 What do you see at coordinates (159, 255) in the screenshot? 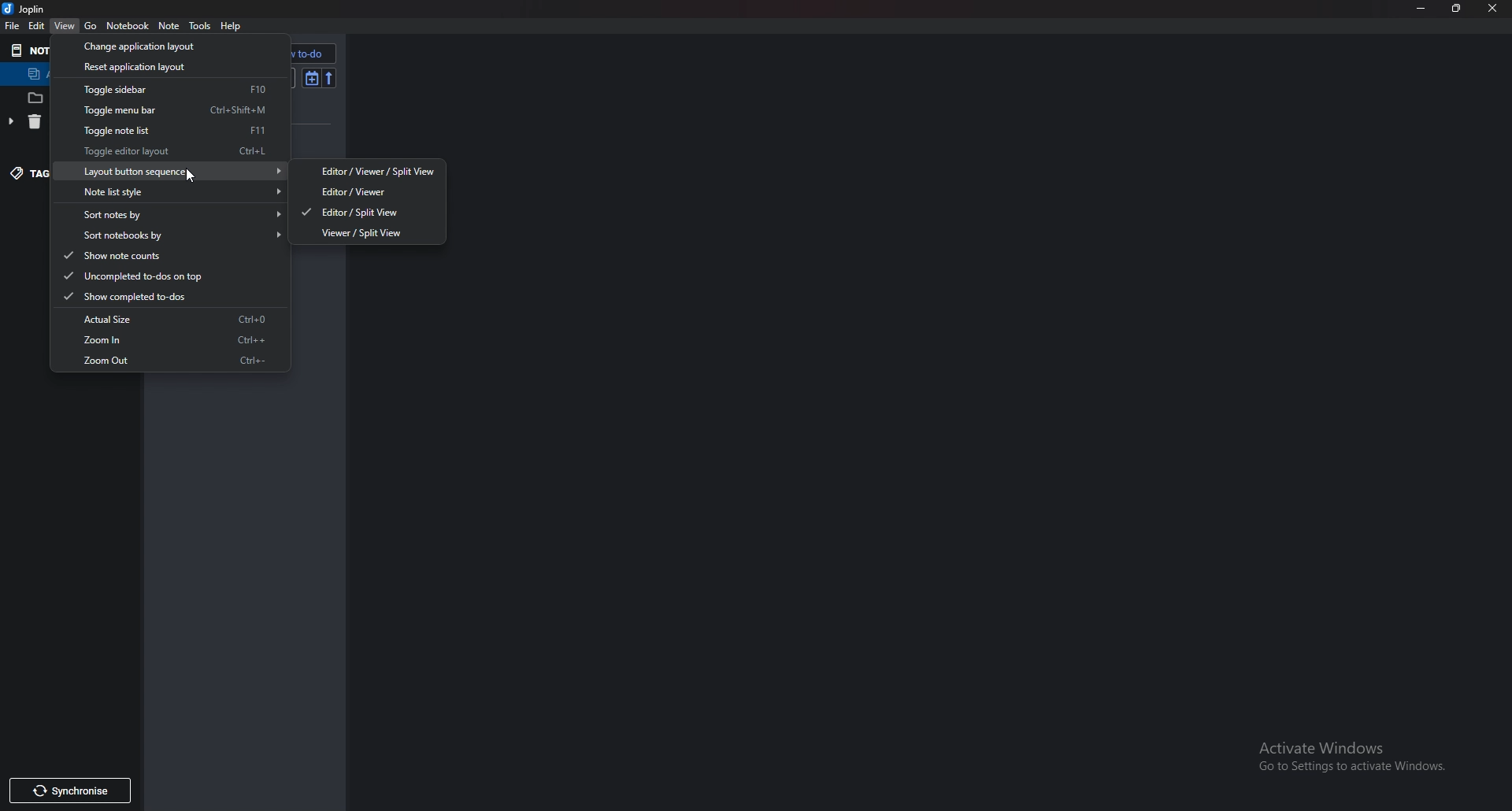
I see `Show note counts` at bounding box center [159, 255].